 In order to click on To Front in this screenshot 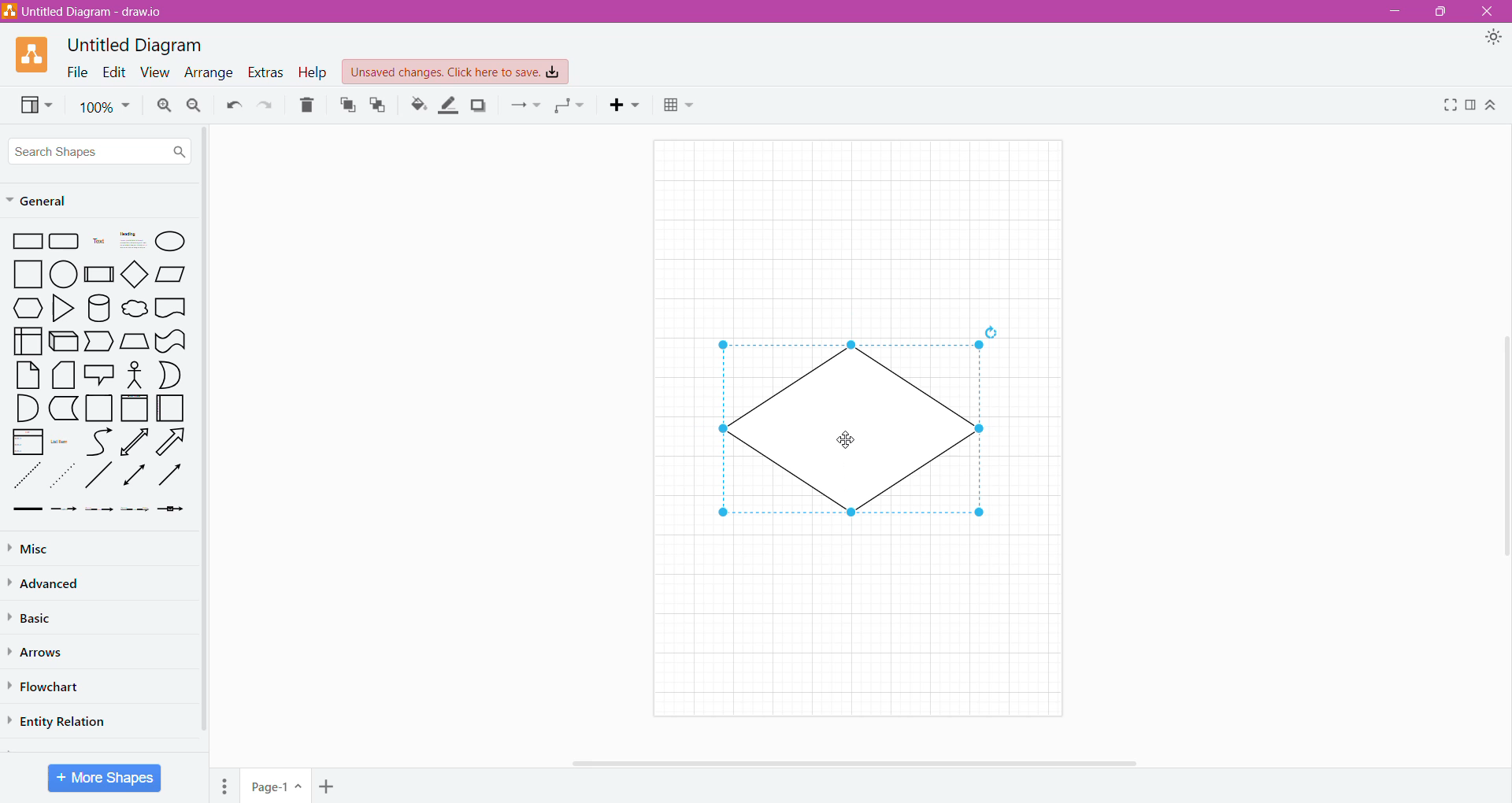, I will do `click(346, 105)`.